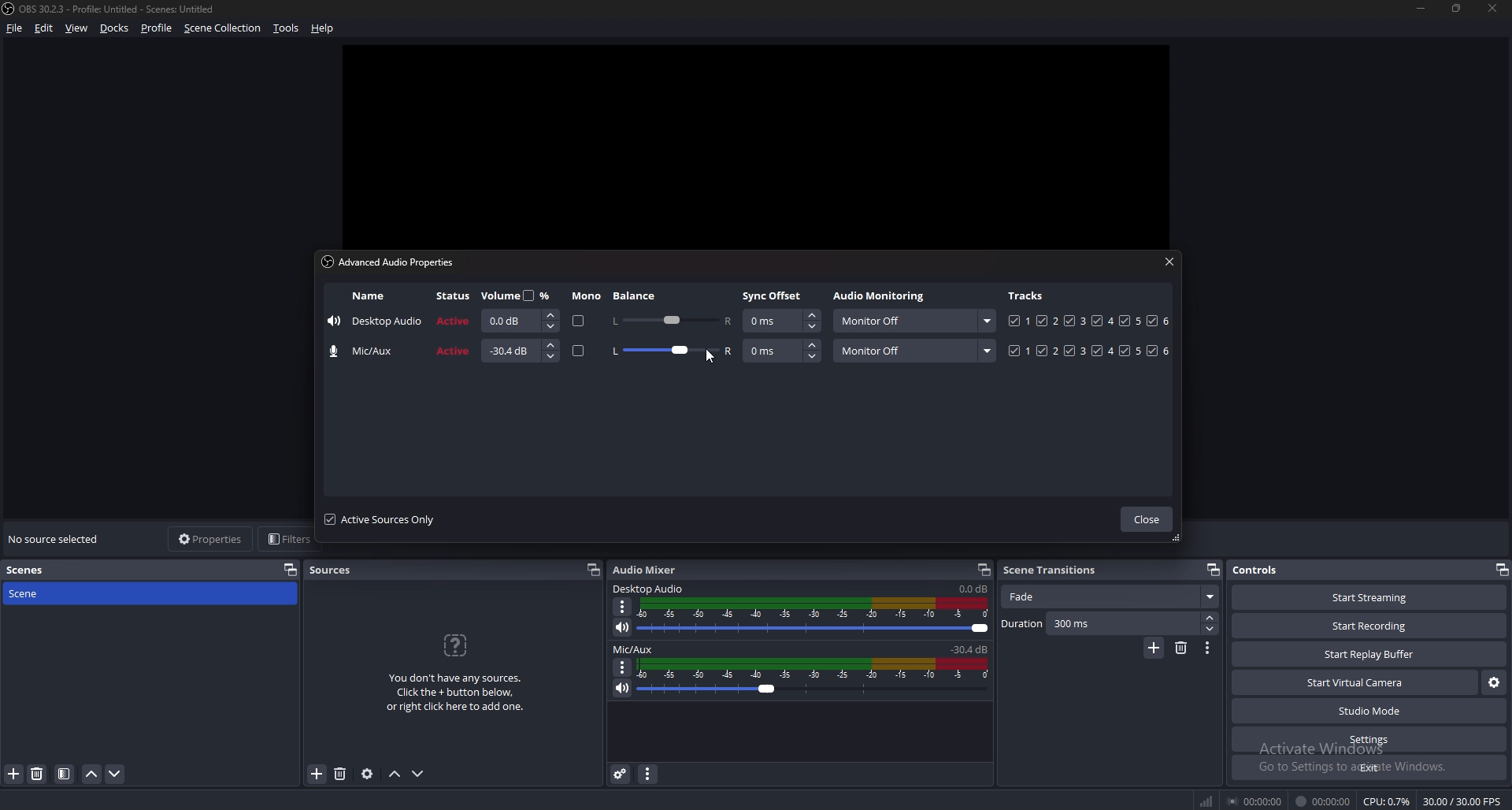 Image resolution: width=1512 pixels, height=810 pixels. What do you see at coordinates (289, 539) in the screenshot?
I see `filters` at bounding box center [289, 539].